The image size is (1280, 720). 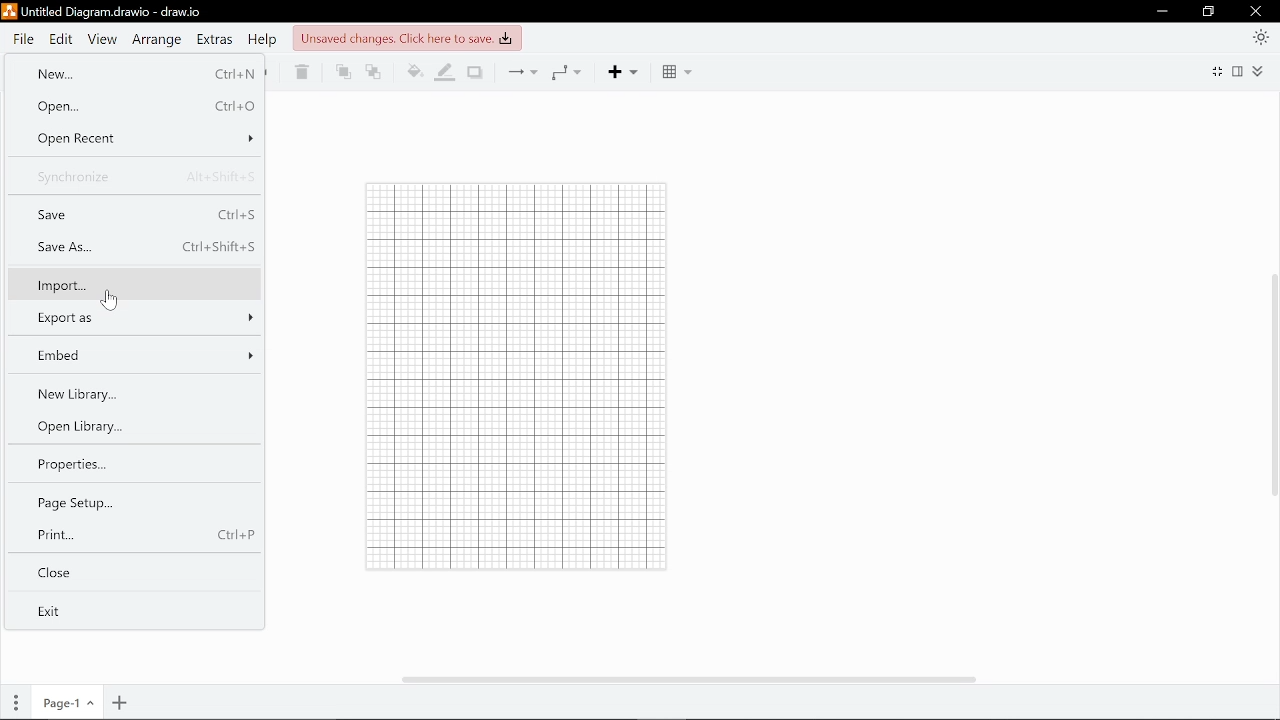 I want to click on Full screen, so click(x=1216, y=73).